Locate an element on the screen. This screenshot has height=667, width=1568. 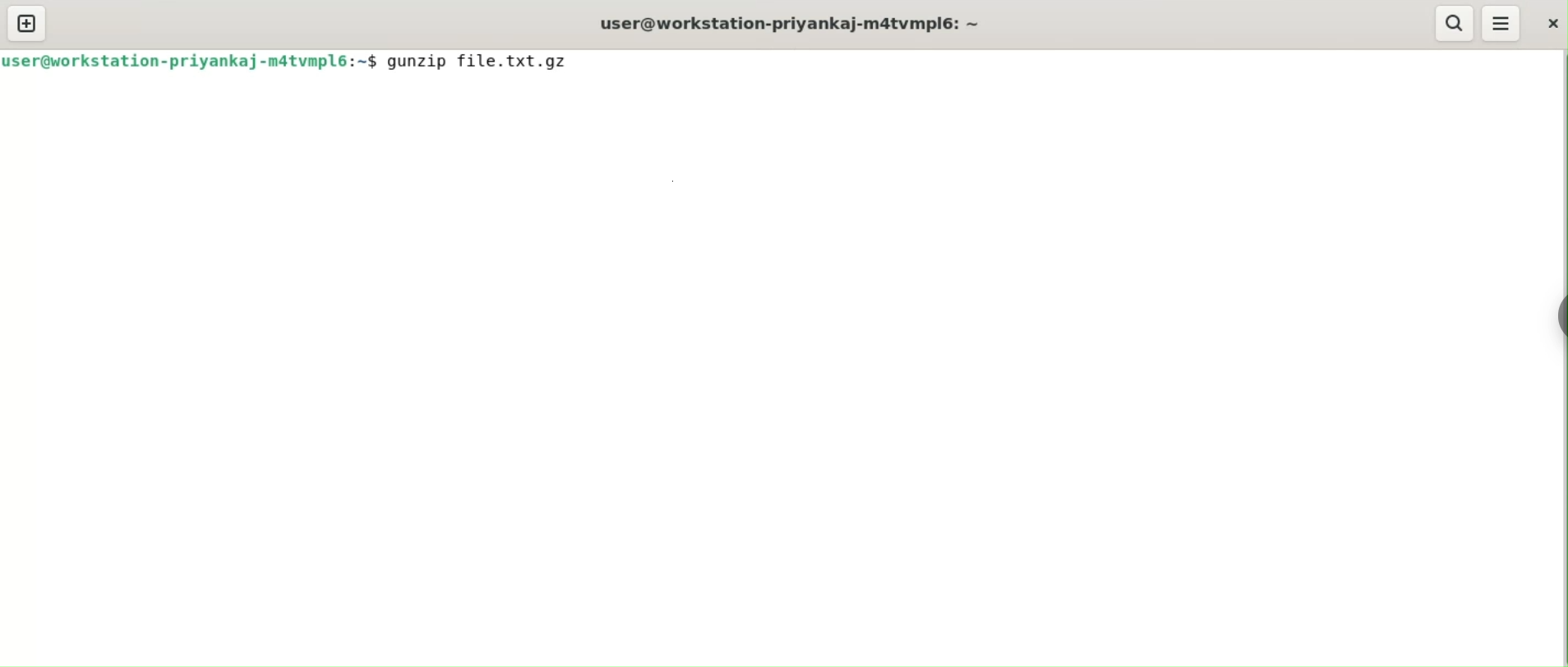
cursor is located at coordinates (580, 62).